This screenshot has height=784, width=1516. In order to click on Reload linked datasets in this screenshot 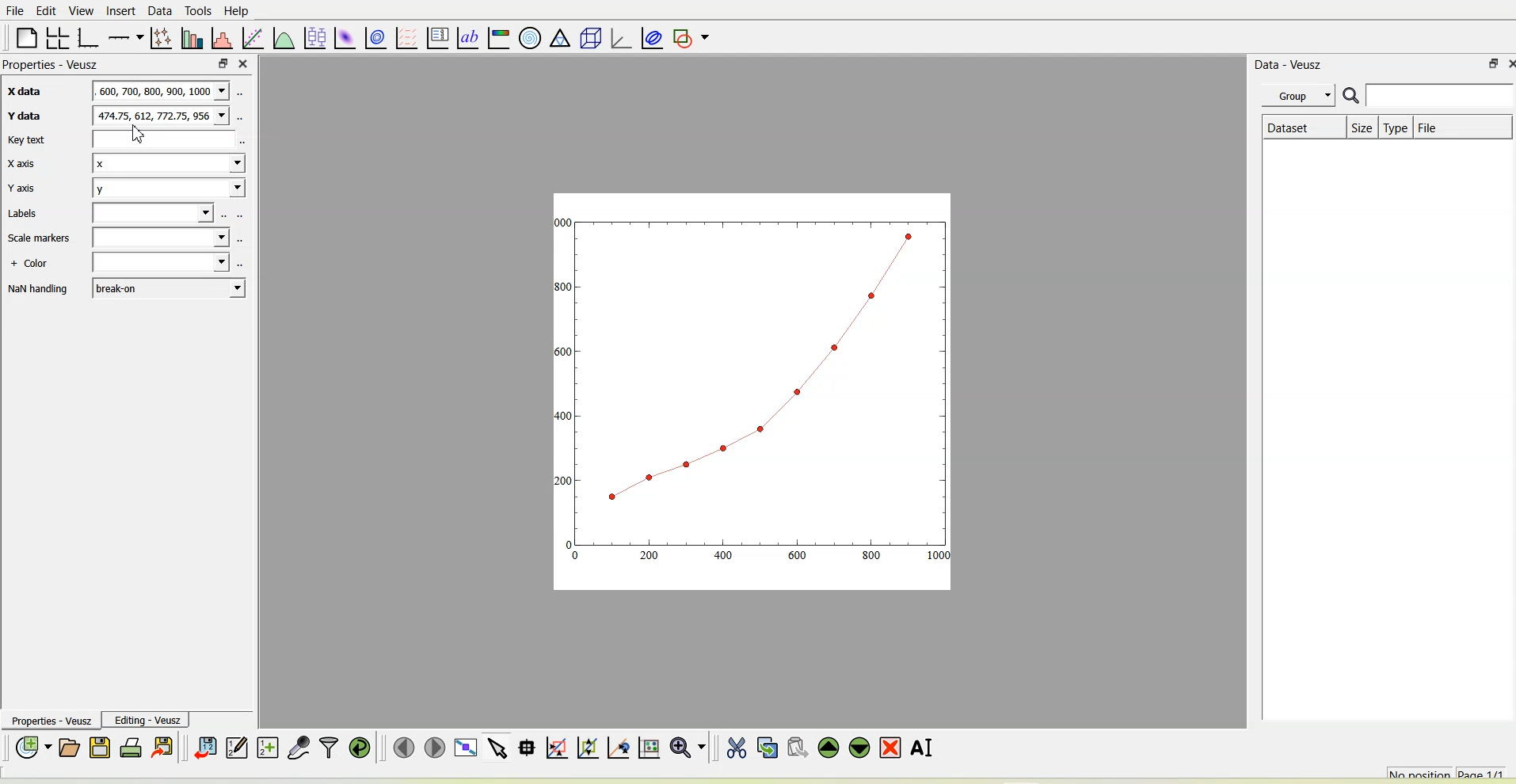, I will do `click(360, 747)`.